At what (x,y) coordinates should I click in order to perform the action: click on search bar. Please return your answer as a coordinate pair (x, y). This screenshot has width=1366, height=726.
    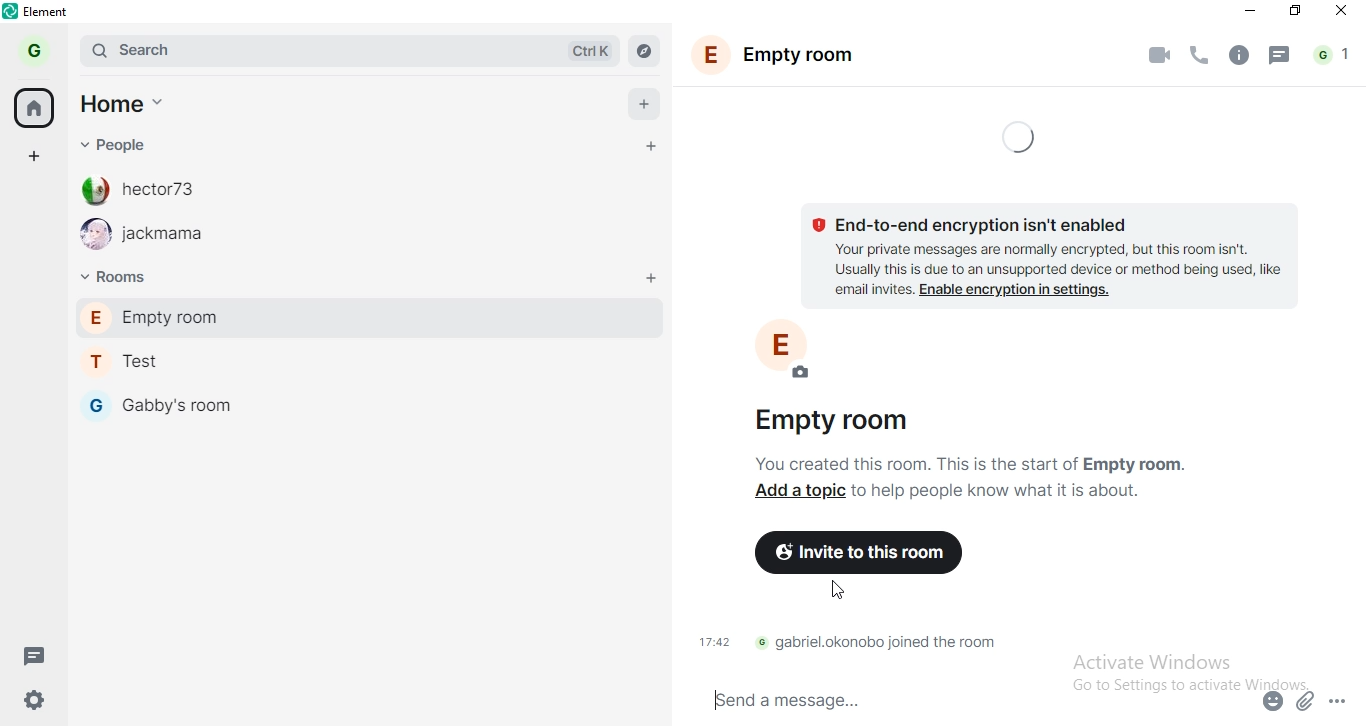
    Looking at the image, I should click on (347, 51).